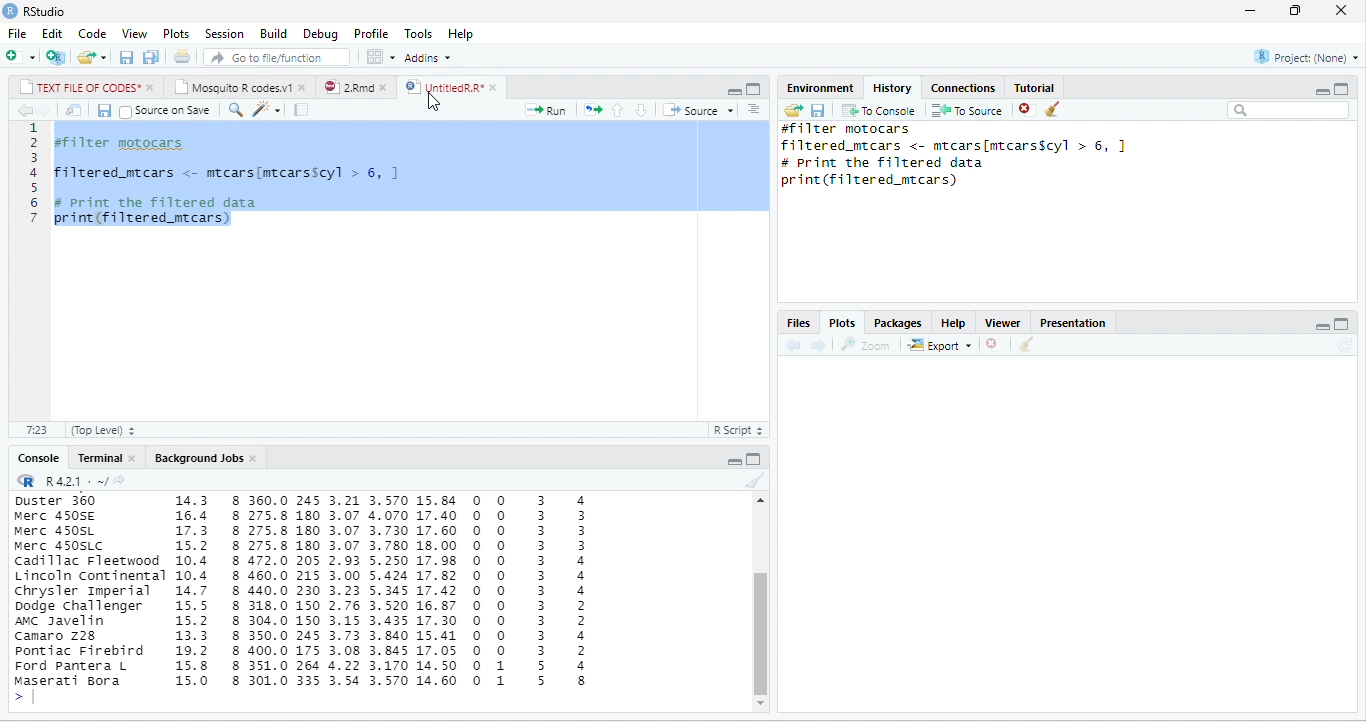 Image resolution: width=1366 pixels, height=722 pixels. What do you see at coordinates (93, 33) in the screenshot?
I see `Code` at bounding box center [93, 33].